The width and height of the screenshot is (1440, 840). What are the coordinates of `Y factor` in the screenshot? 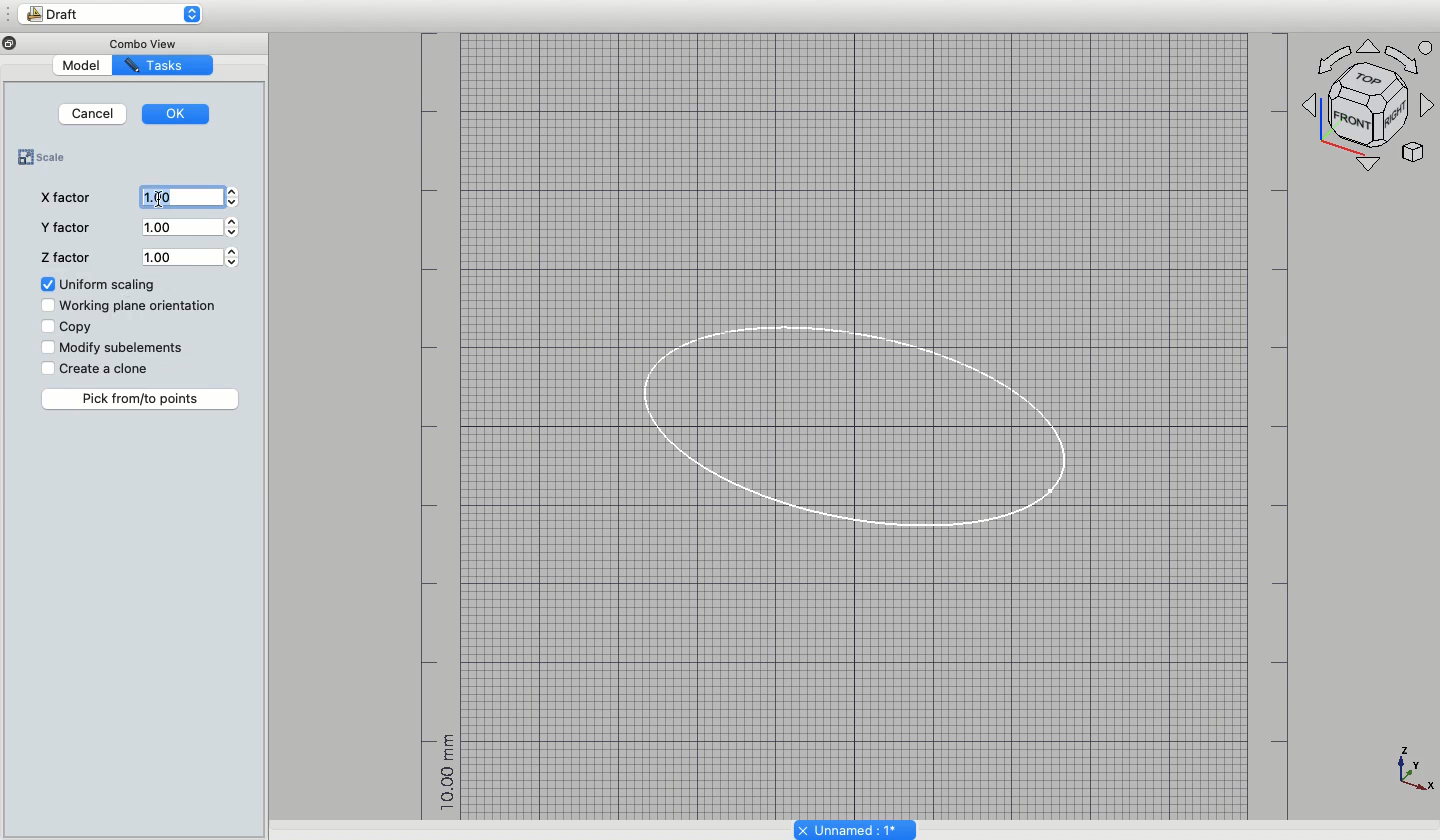 It's located at (64, 227).